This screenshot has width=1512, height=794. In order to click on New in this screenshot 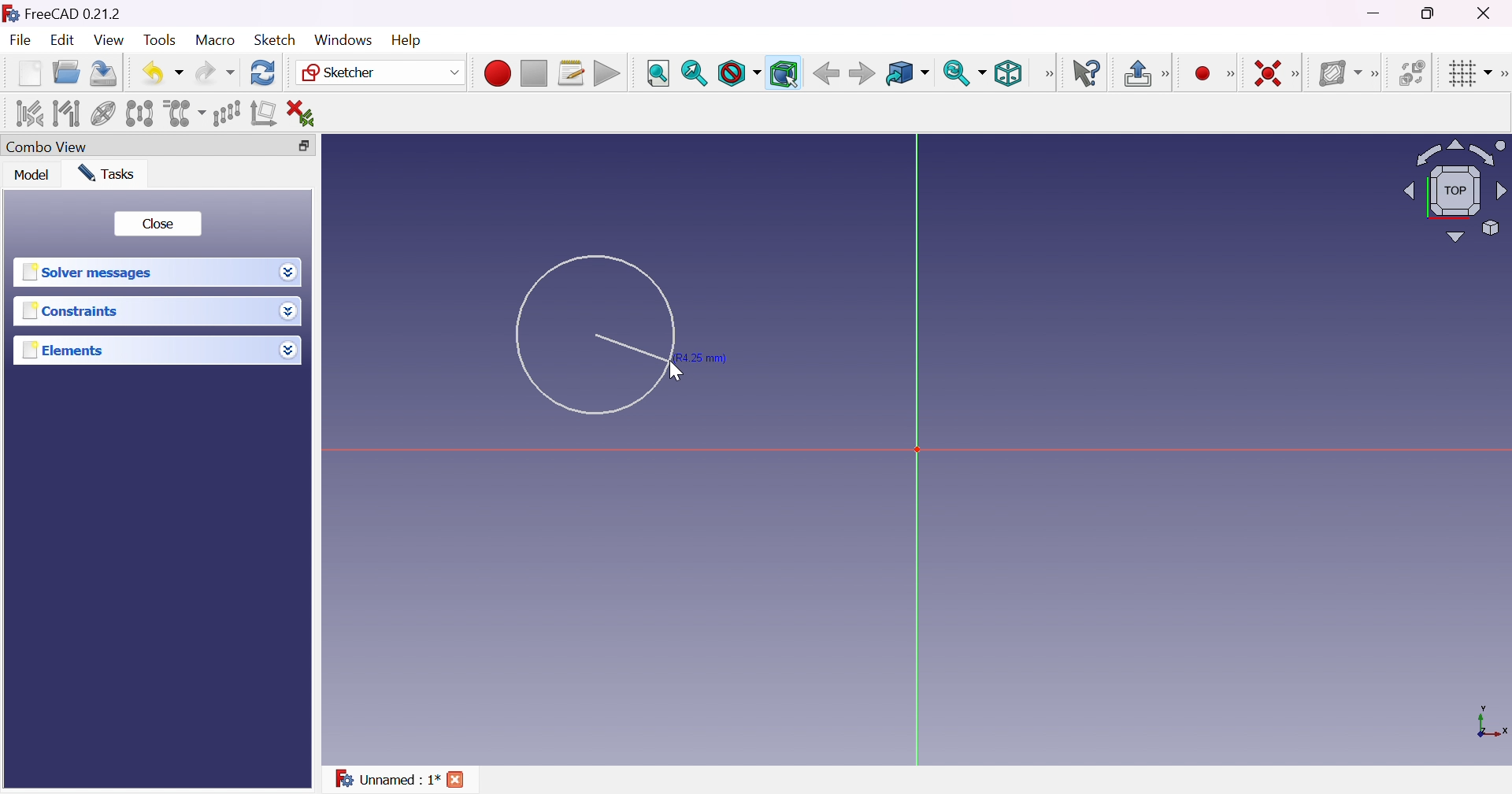, I will do `click(28, 73)`.